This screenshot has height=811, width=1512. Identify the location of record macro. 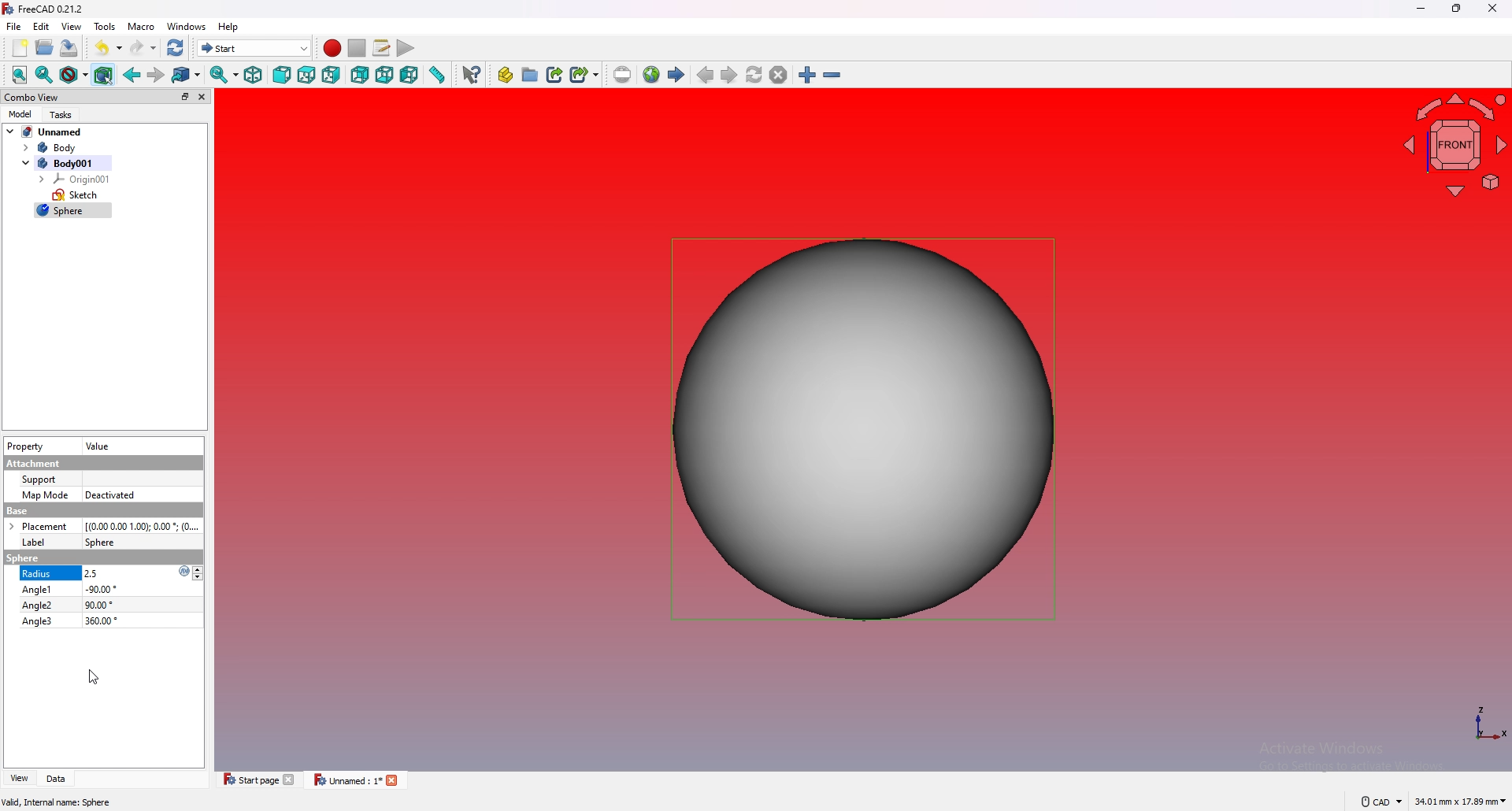
(333, 49).